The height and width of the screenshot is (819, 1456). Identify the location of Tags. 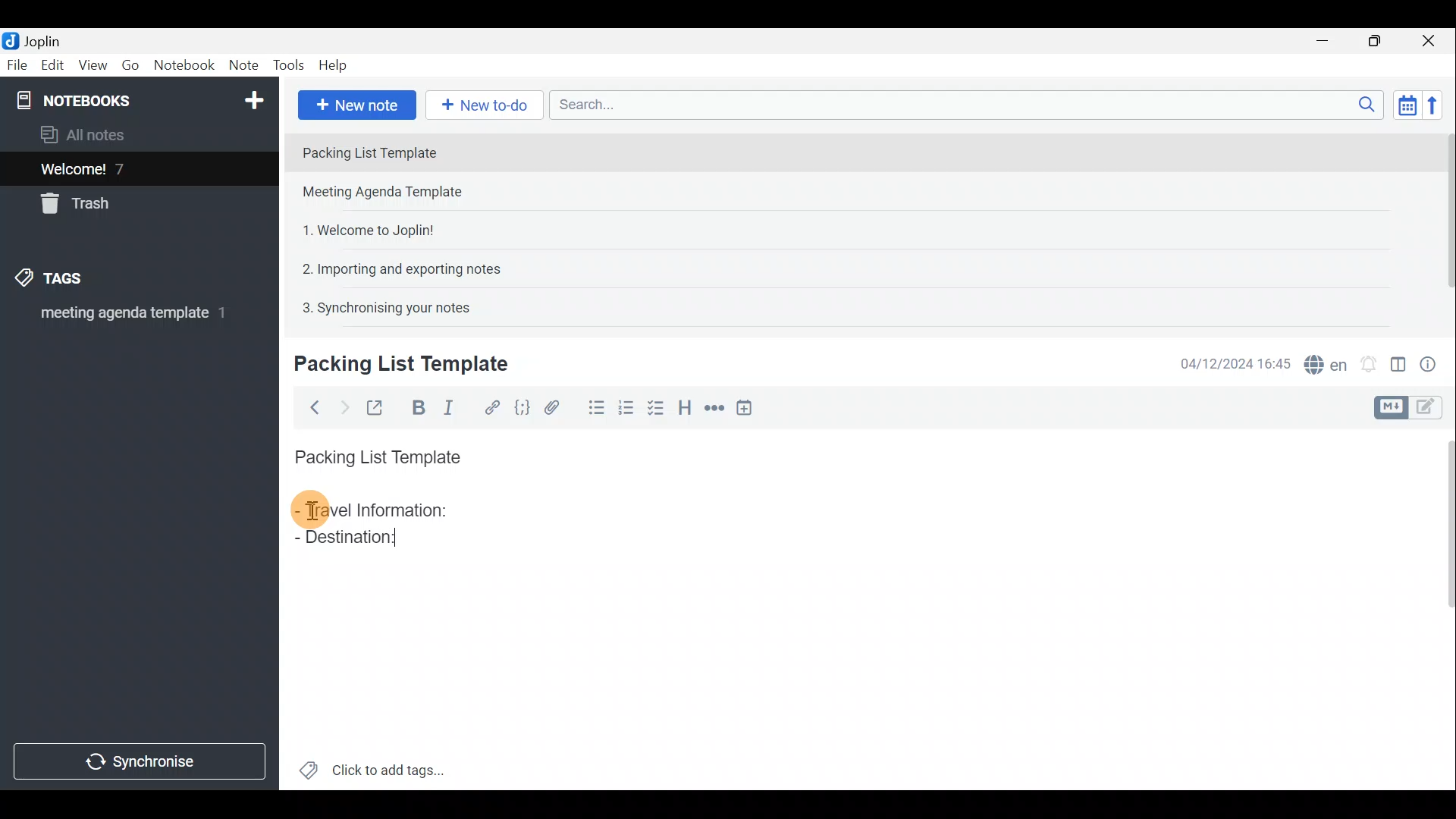
(74, 281).